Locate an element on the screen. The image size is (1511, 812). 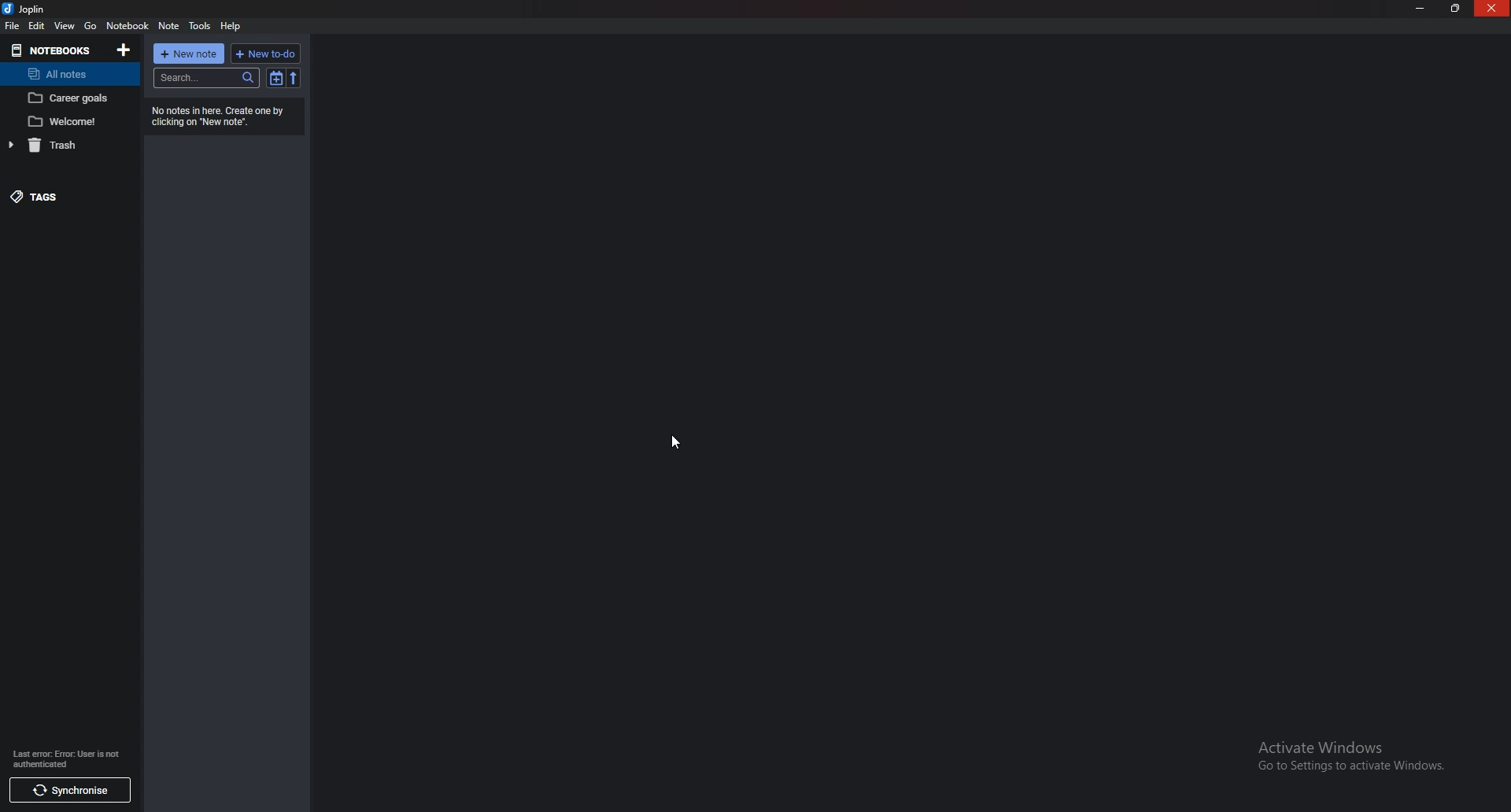
new note is located at coordinates (189, 52).